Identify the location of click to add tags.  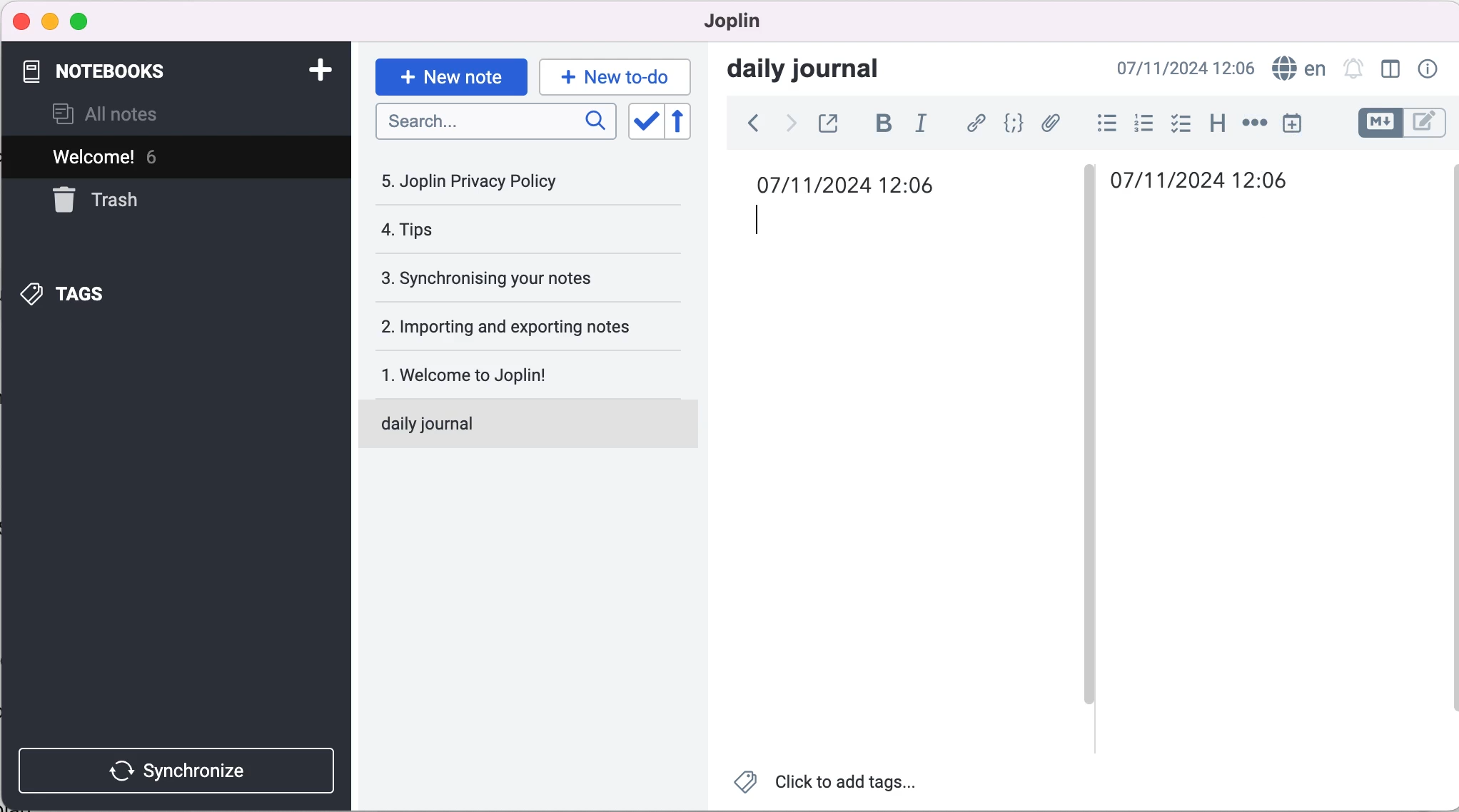
(827, 785).